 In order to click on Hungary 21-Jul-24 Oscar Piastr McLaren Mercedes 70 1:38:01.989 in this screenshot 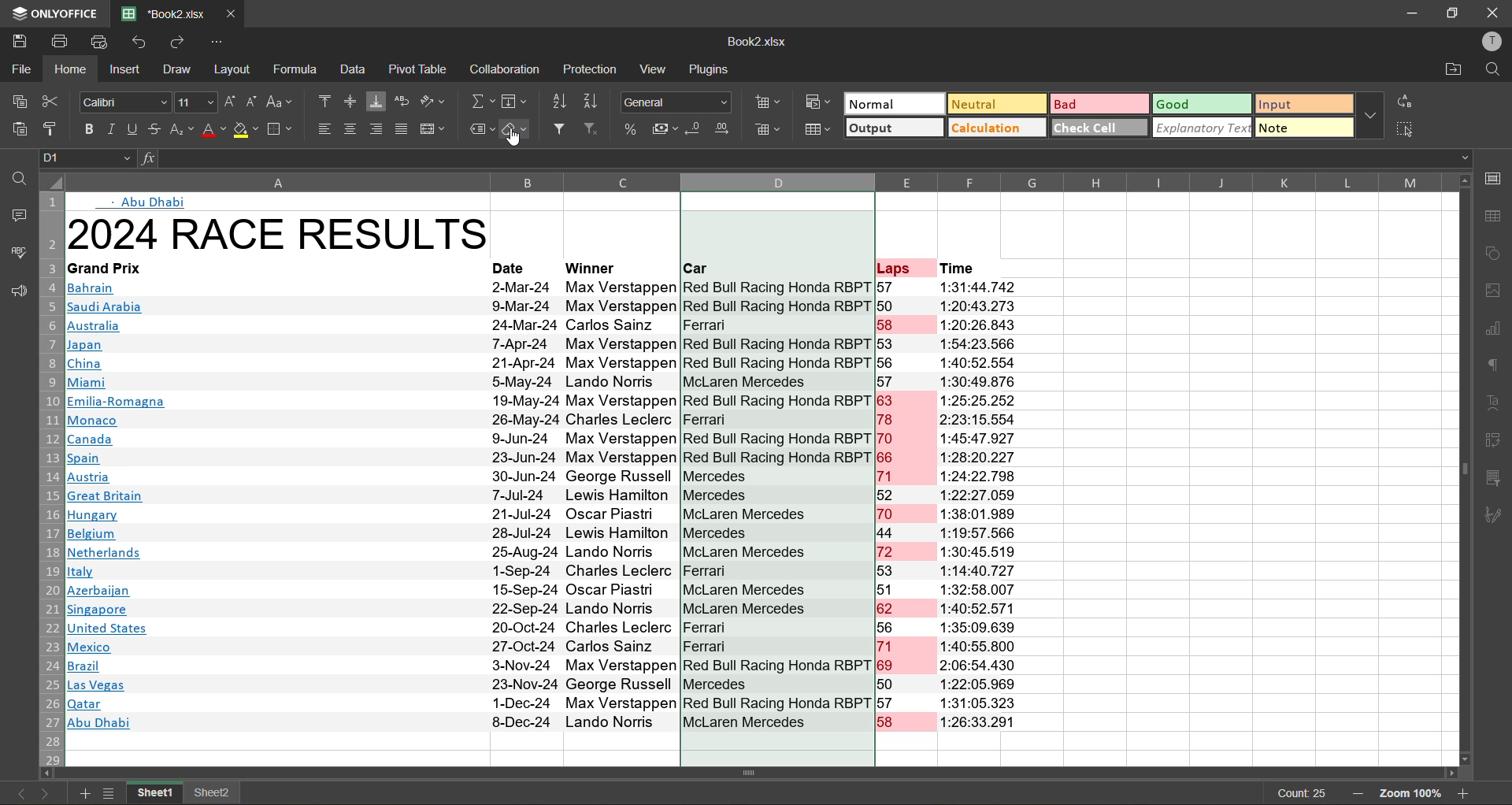, I will do `click(547, 514)`.